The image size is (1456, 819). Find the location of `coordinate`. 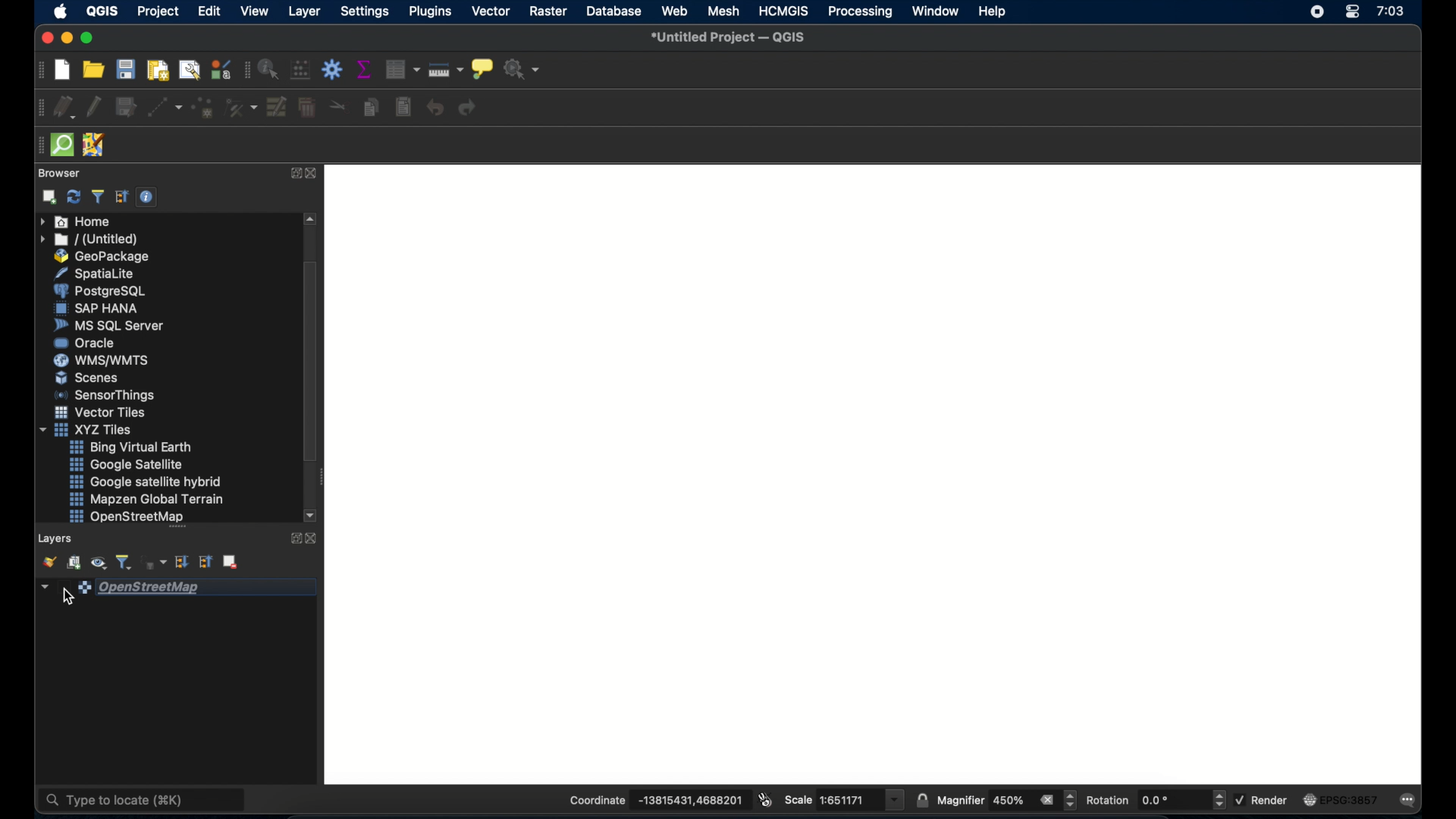

coordinate is located at coordinates (657, 799).